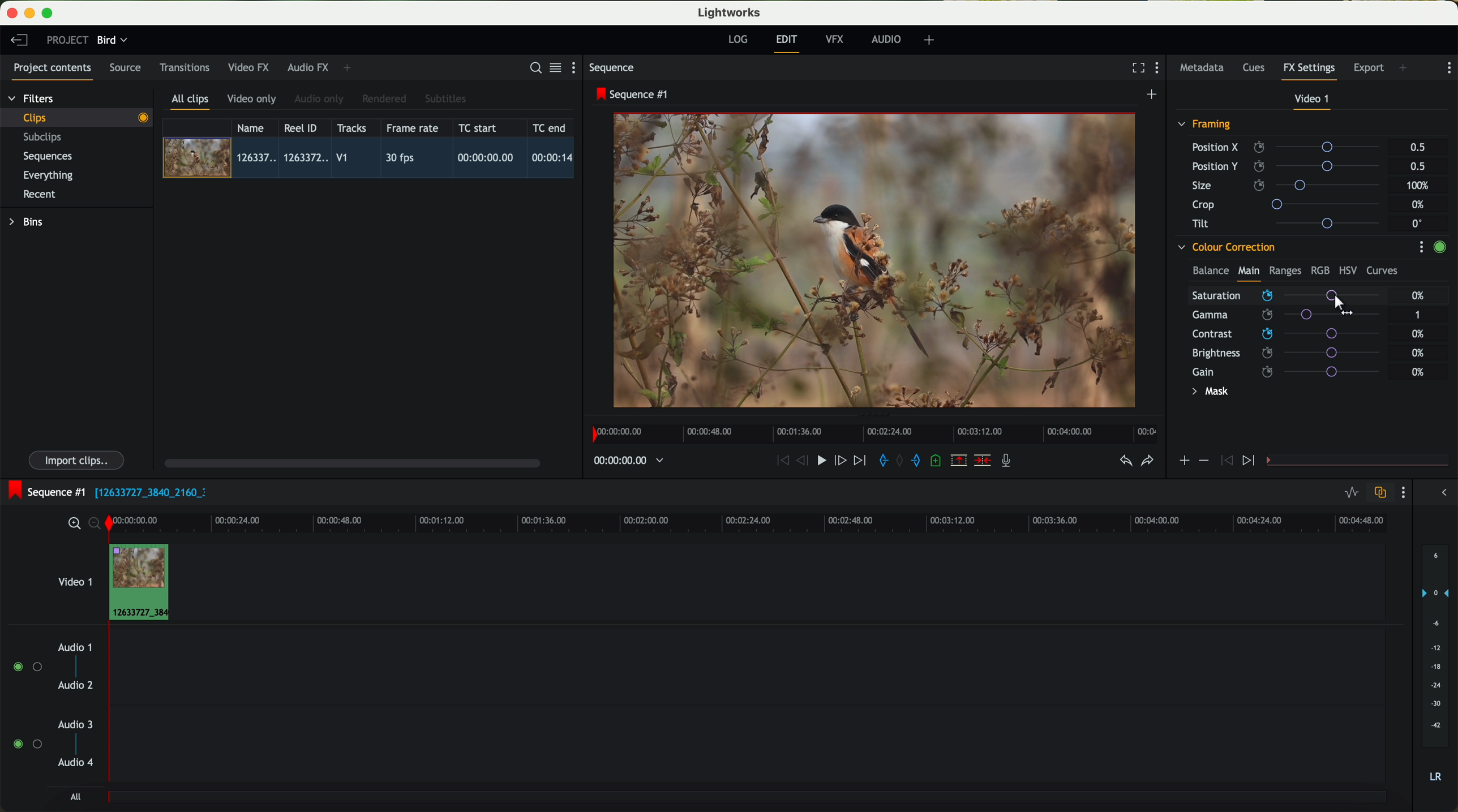  Describe the element at coordinates (125, 68) in the screenshot. I see `source` at that location.